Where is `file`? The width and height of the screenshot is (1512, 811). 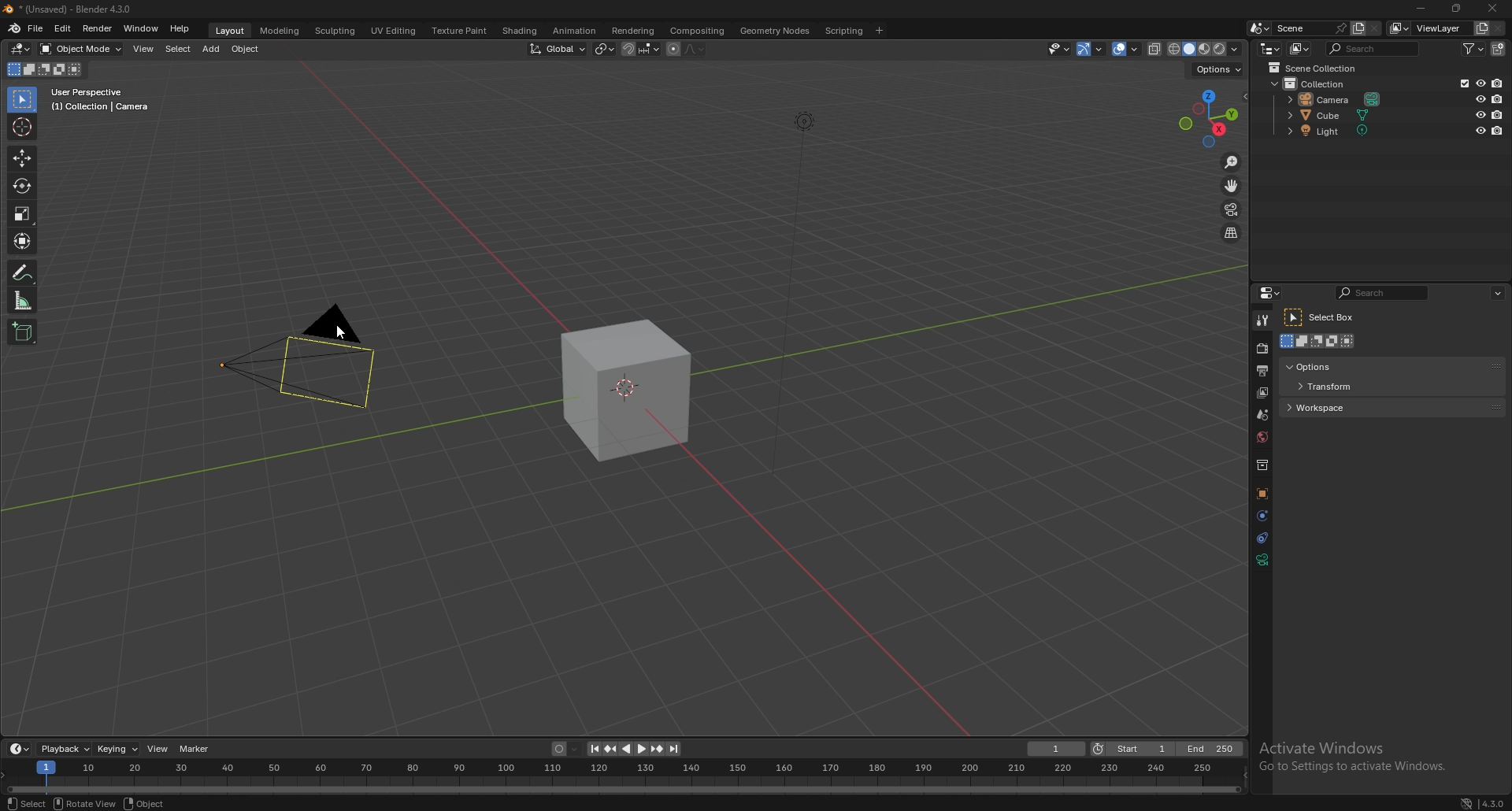
file is located at coordinates (37, 29).